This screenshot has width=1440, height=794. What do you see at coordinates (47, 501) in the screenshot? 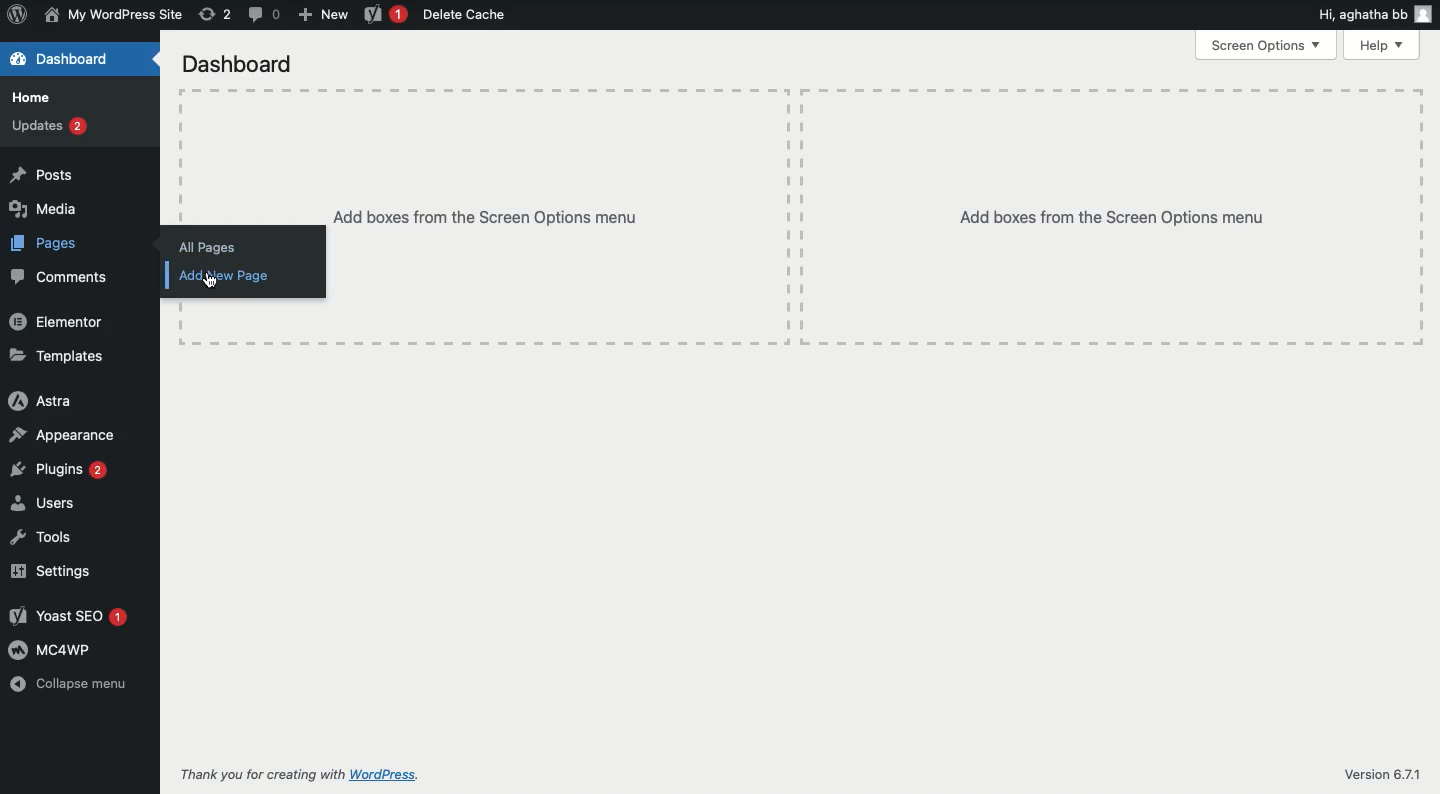
I see `Users` at bounding box center [47, 501].